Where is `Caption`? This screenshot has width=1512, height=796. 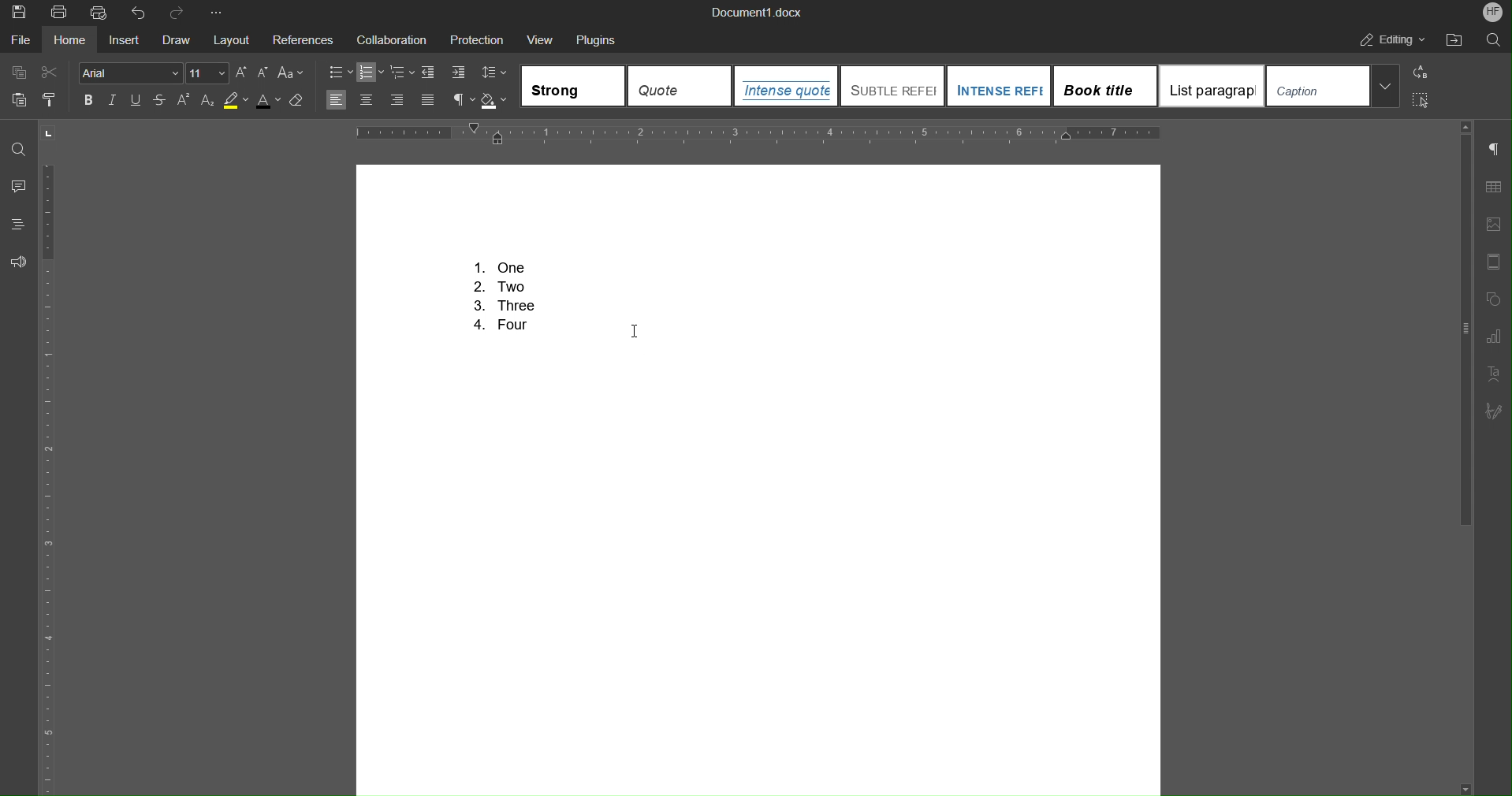 Caption is located at coordinates (1334, 85).